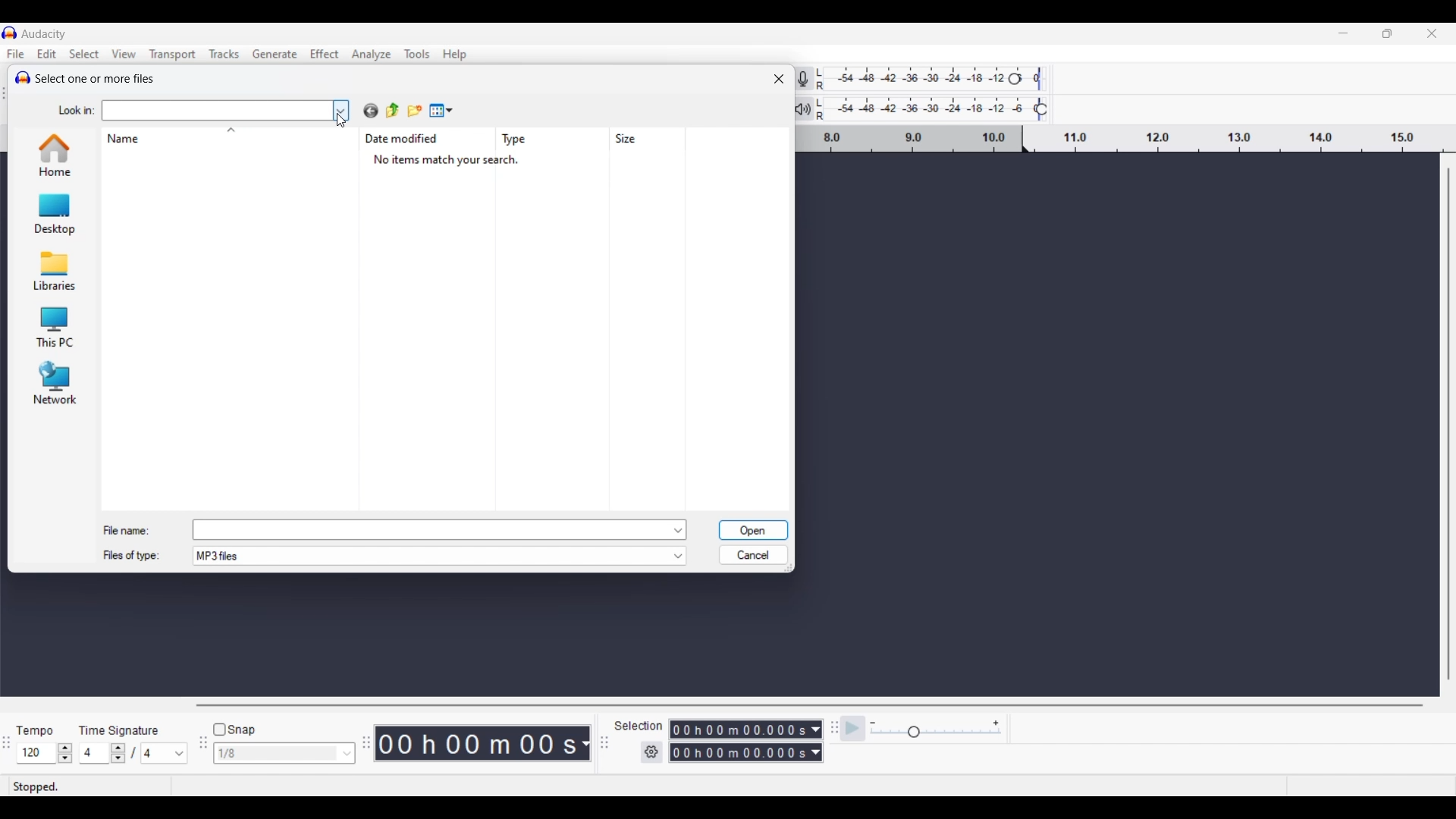 This screenshot has height=819, width=1456. What do you see at coordinates (124, 53) in the screenshot?
I see `View menu` at bounding box center [124, 53].